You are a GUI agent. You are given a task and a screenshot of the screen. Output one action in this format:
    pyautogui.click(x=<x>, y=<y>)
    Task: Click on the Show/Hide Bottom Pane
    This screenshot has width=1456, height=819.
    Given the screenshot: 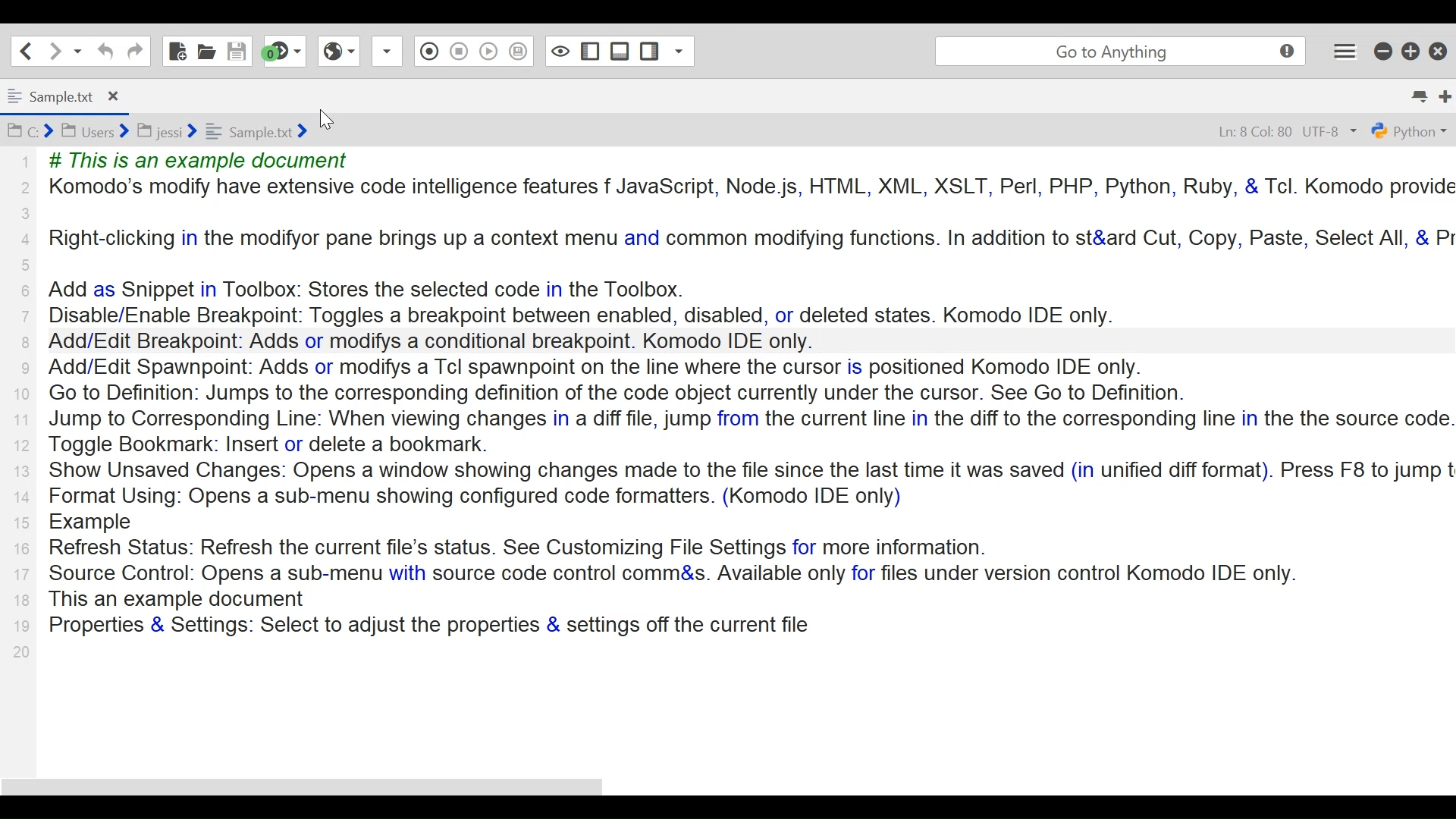 What is the action you would take?
    pyautogui.click(x=620, y=51)
    